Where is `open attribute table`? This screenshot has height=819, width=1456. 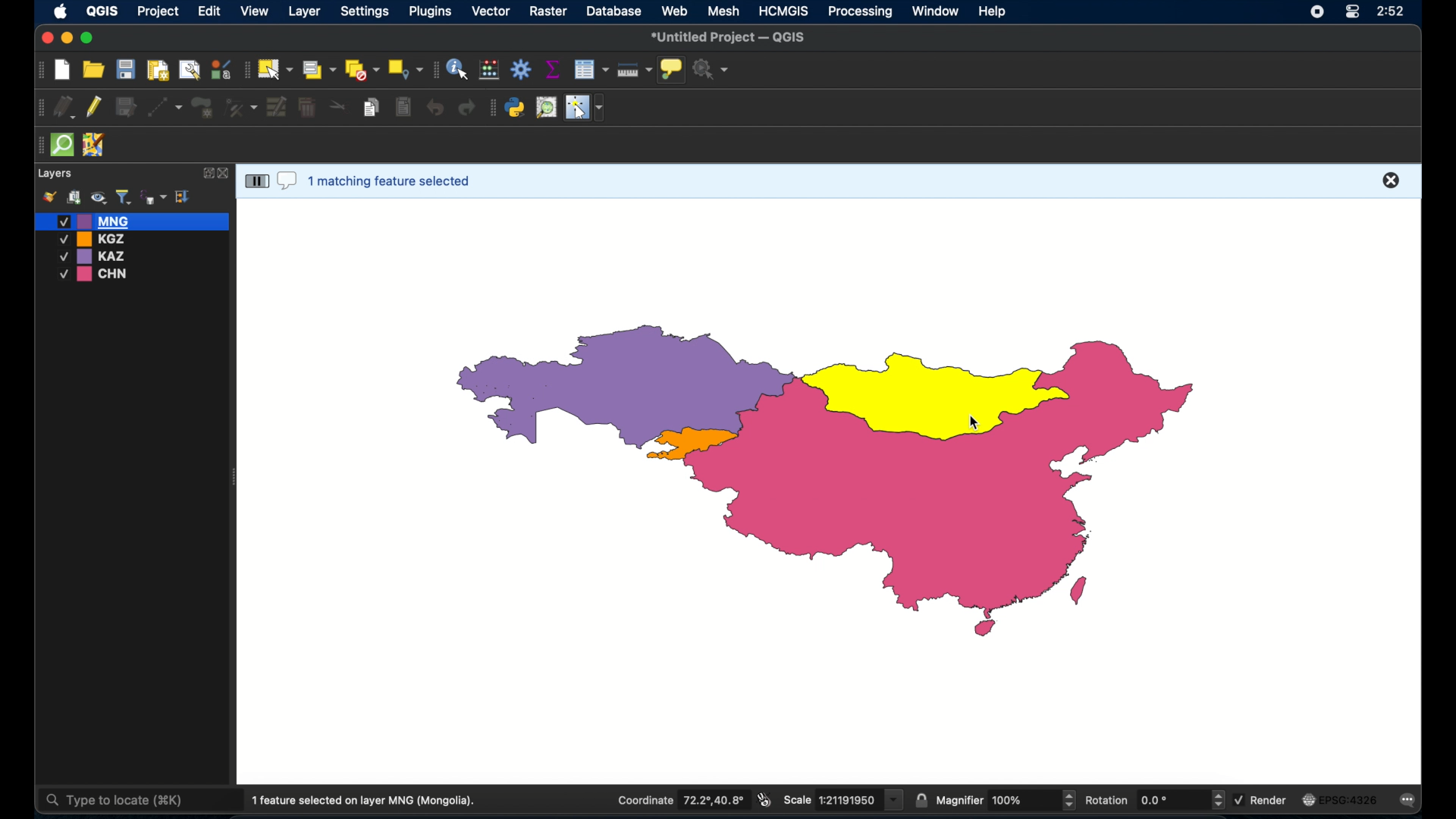 open attribute table is located at coordinates (593, 70).